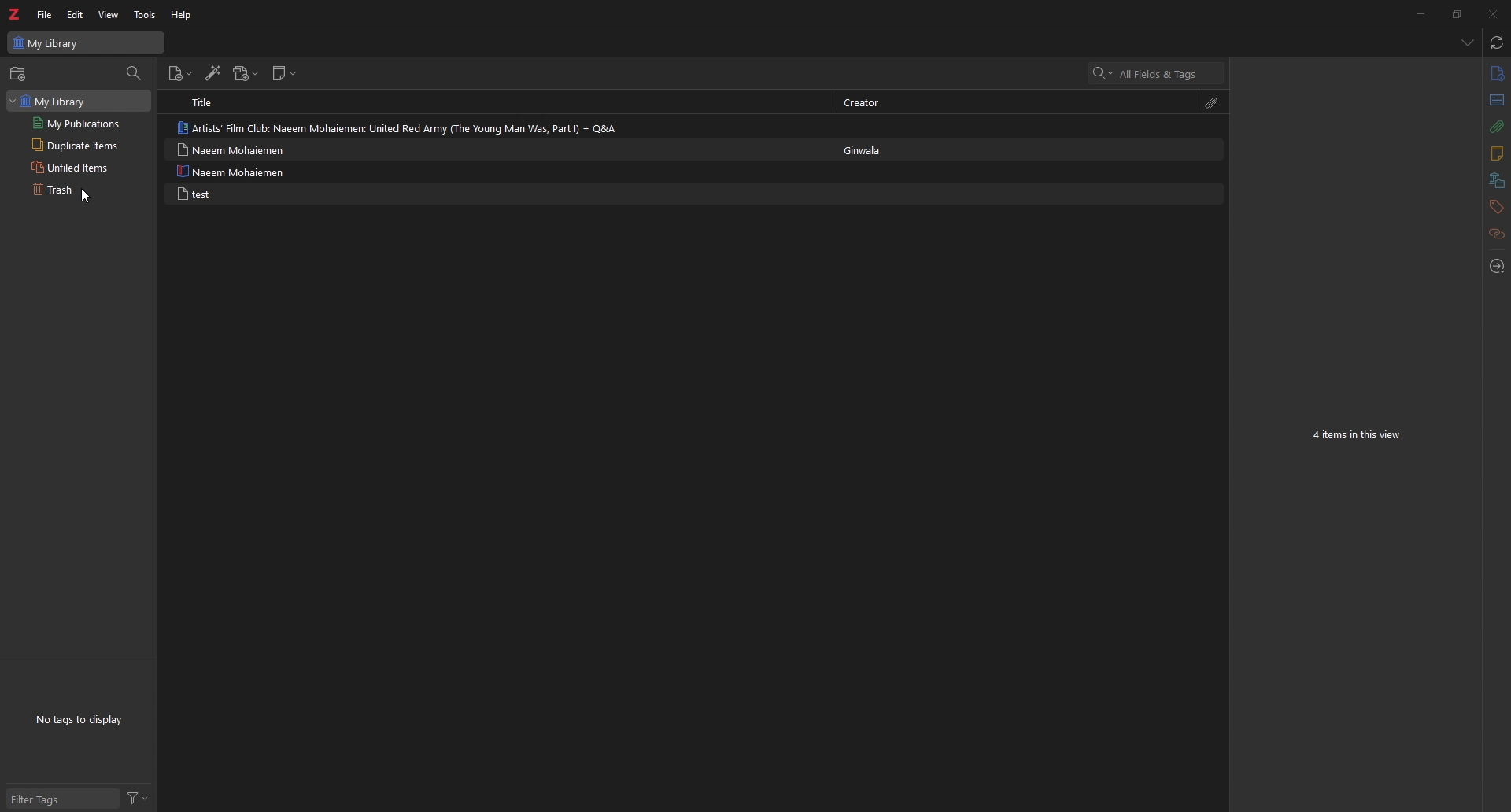 The width and height of the screenshot is (1511, 812). I want to click on edit, so click(76, 15).